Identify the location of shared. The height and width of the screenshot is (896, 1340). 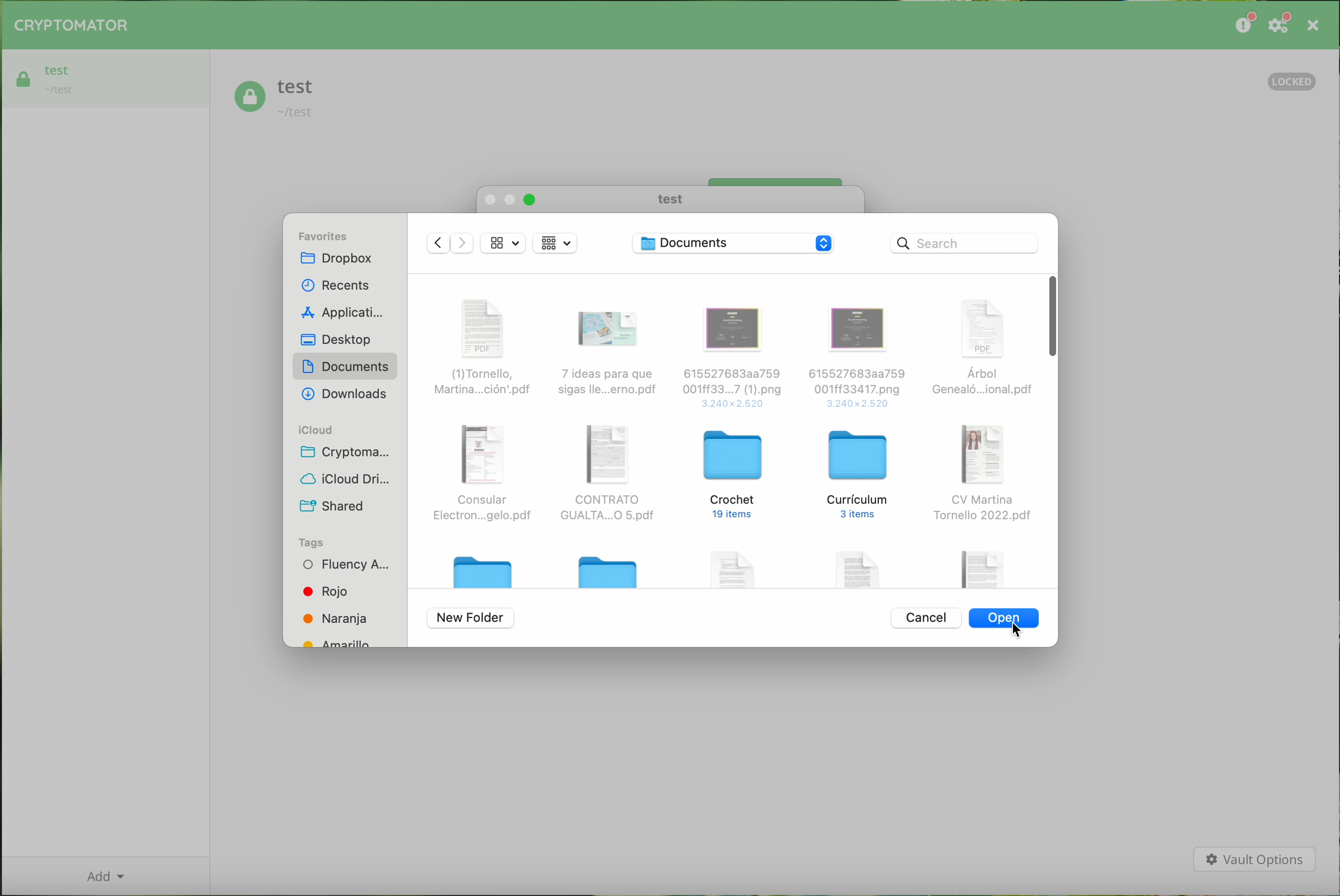
(331, 503).